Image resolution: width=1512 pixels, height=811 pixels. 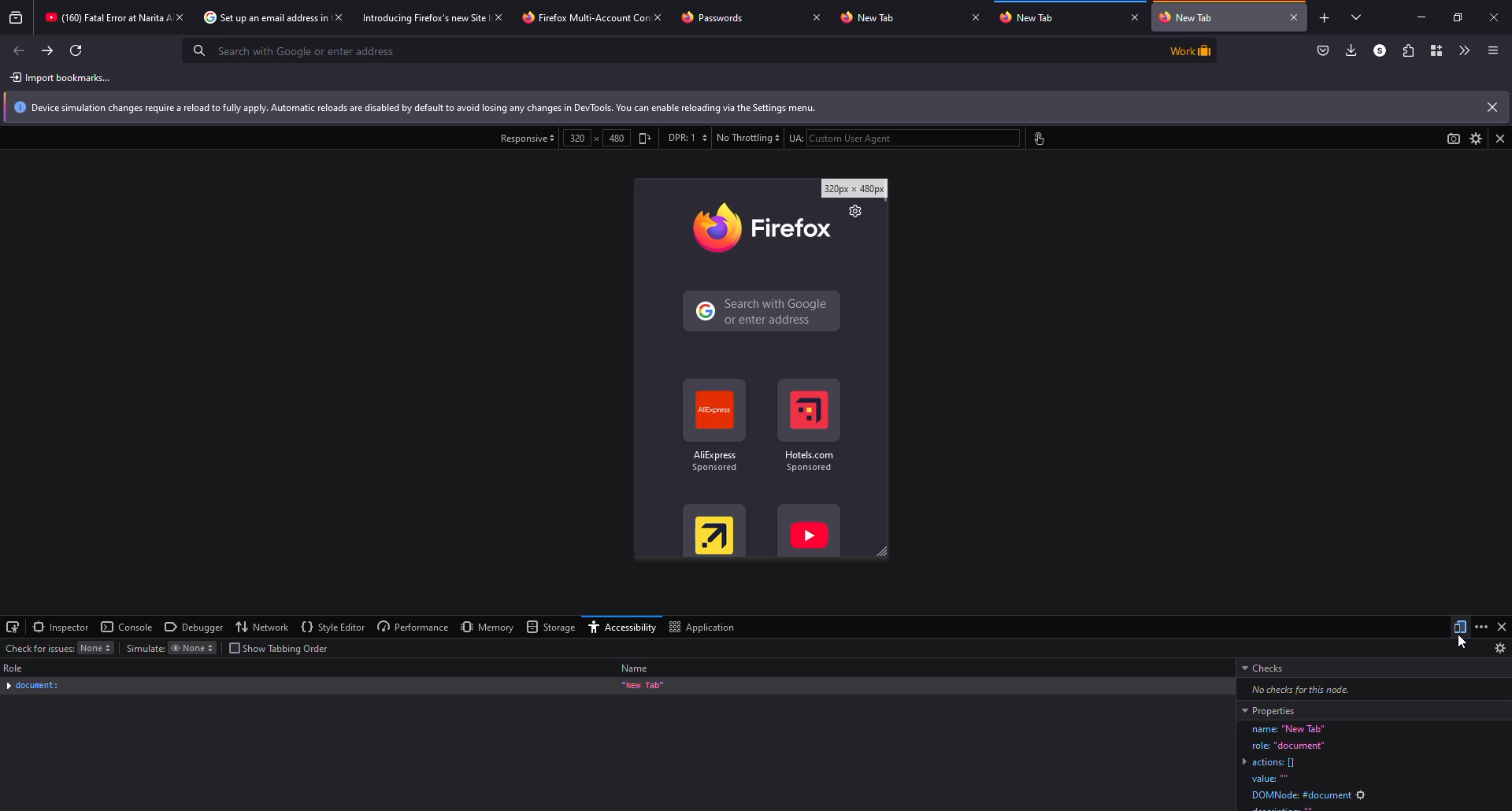 What do you see at coordinates (687, 138) in the screenshot?
I see `dpr` at bounding box center [687, 138].